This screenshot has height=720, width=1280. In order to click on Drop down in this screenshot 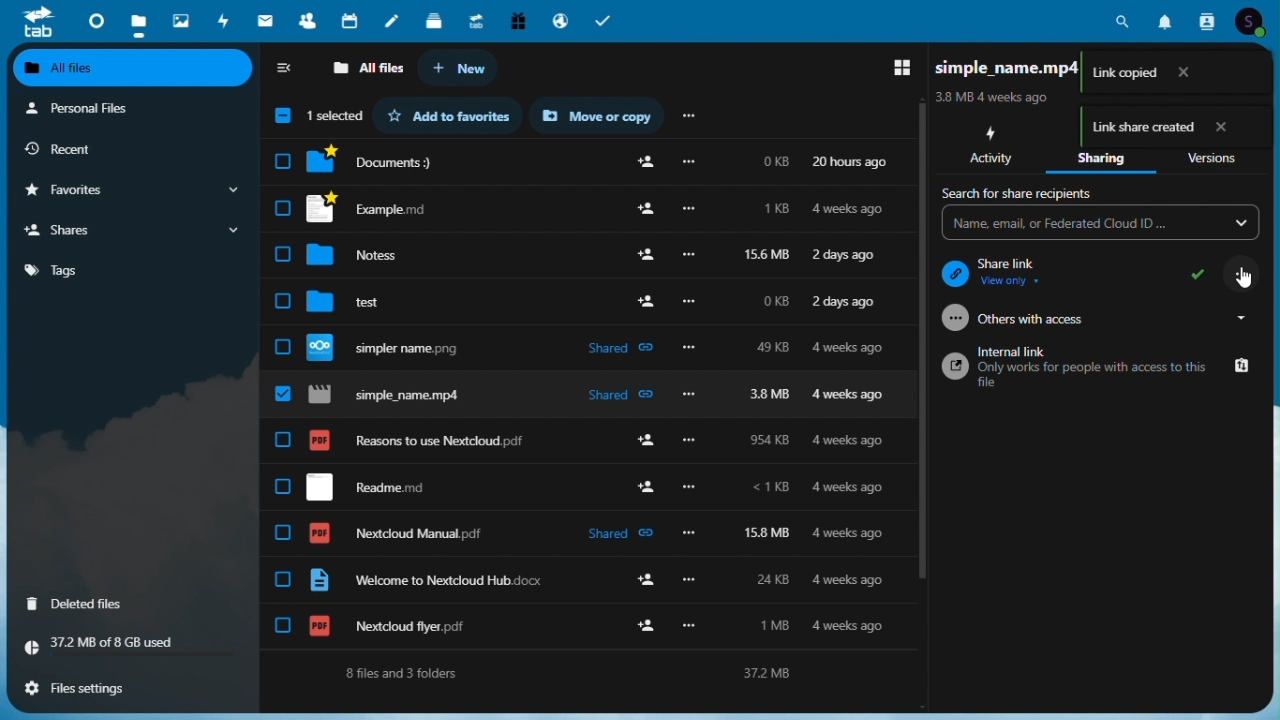, I will do `click(1100, 225)`.